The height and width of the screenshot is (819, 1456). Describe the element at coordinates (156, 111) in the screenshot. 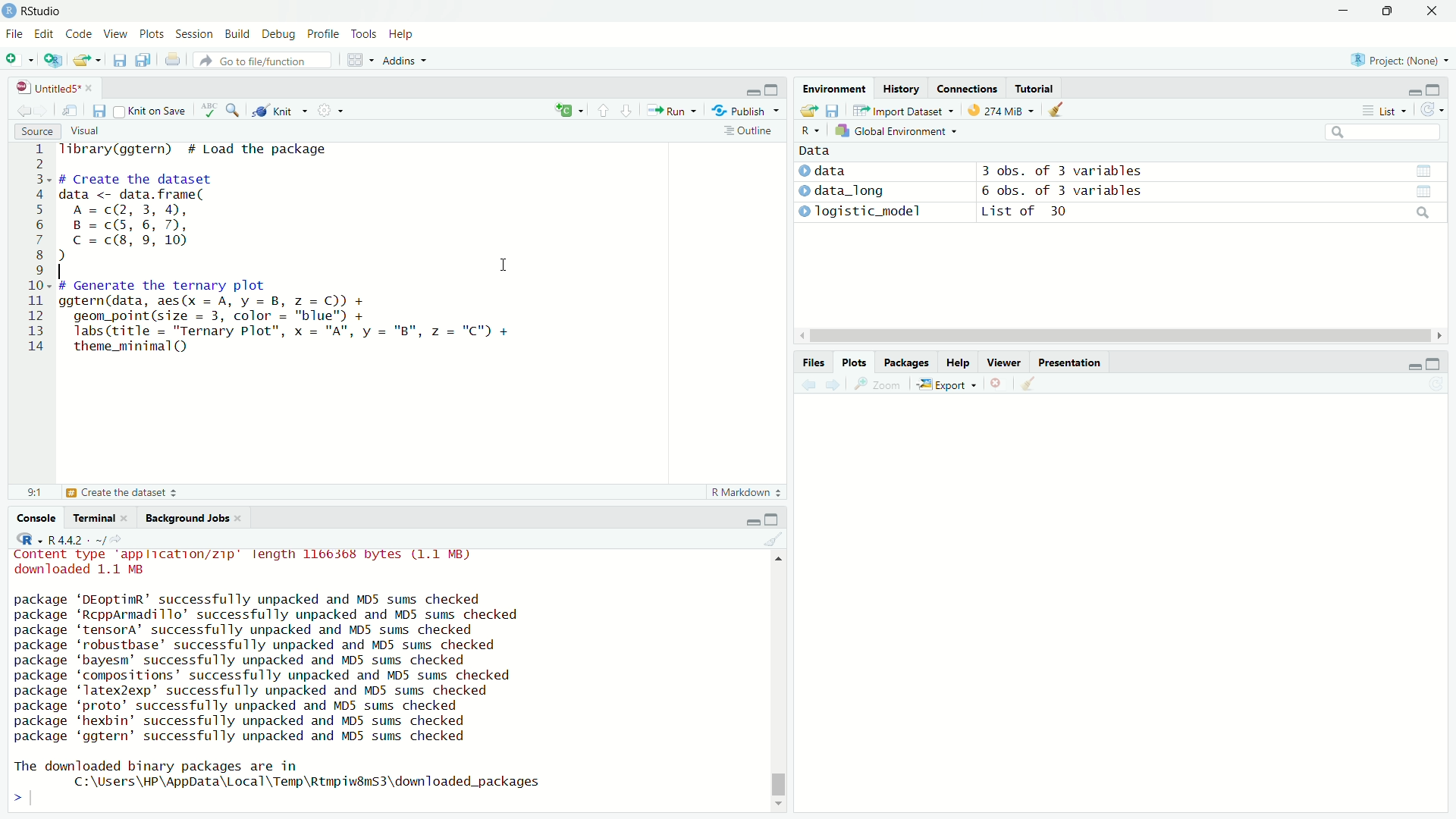

I see `Knit on Save` at that location.